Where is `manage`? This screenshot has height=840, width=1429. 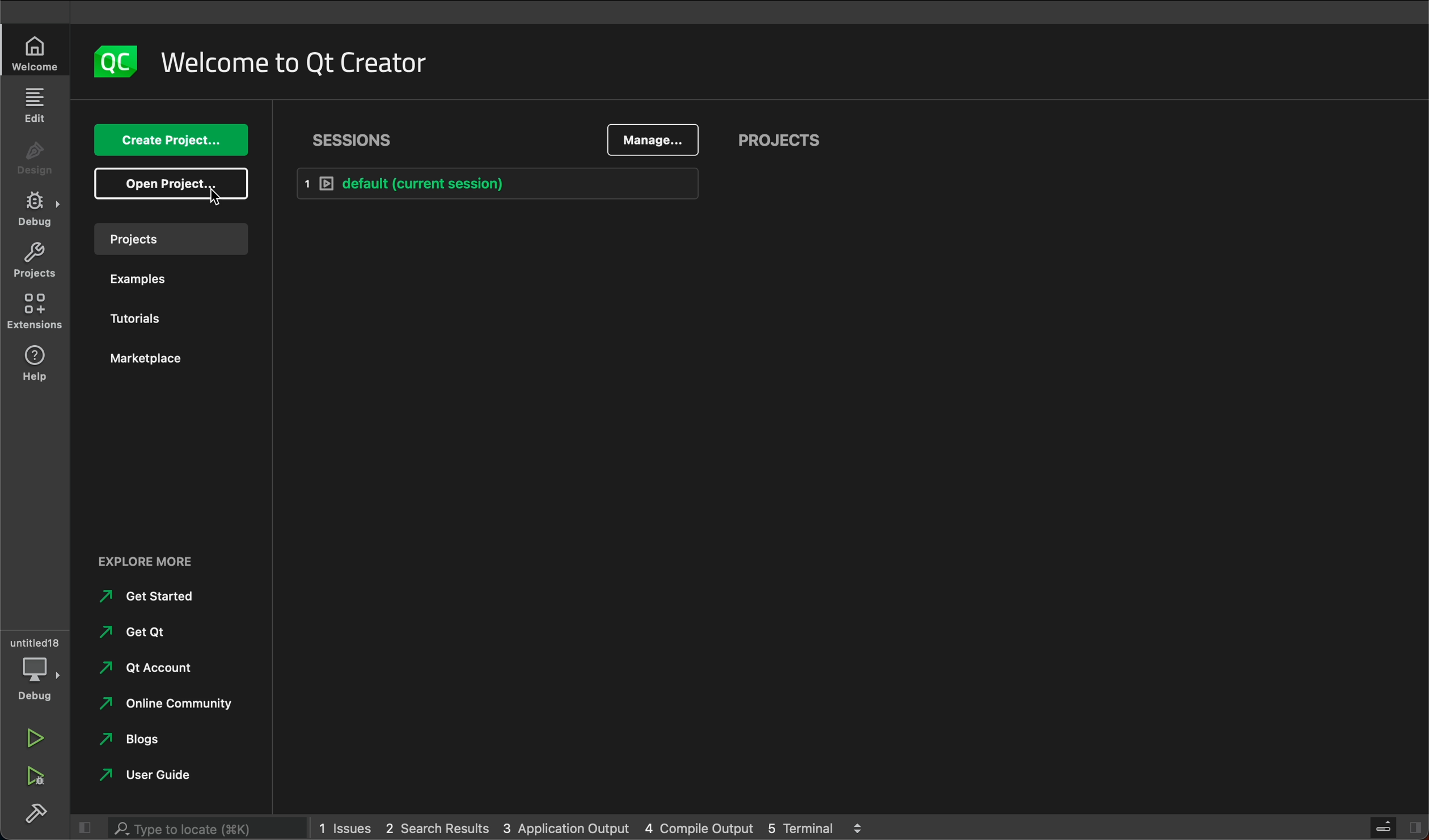
manage is located at coordinates (652, 139).